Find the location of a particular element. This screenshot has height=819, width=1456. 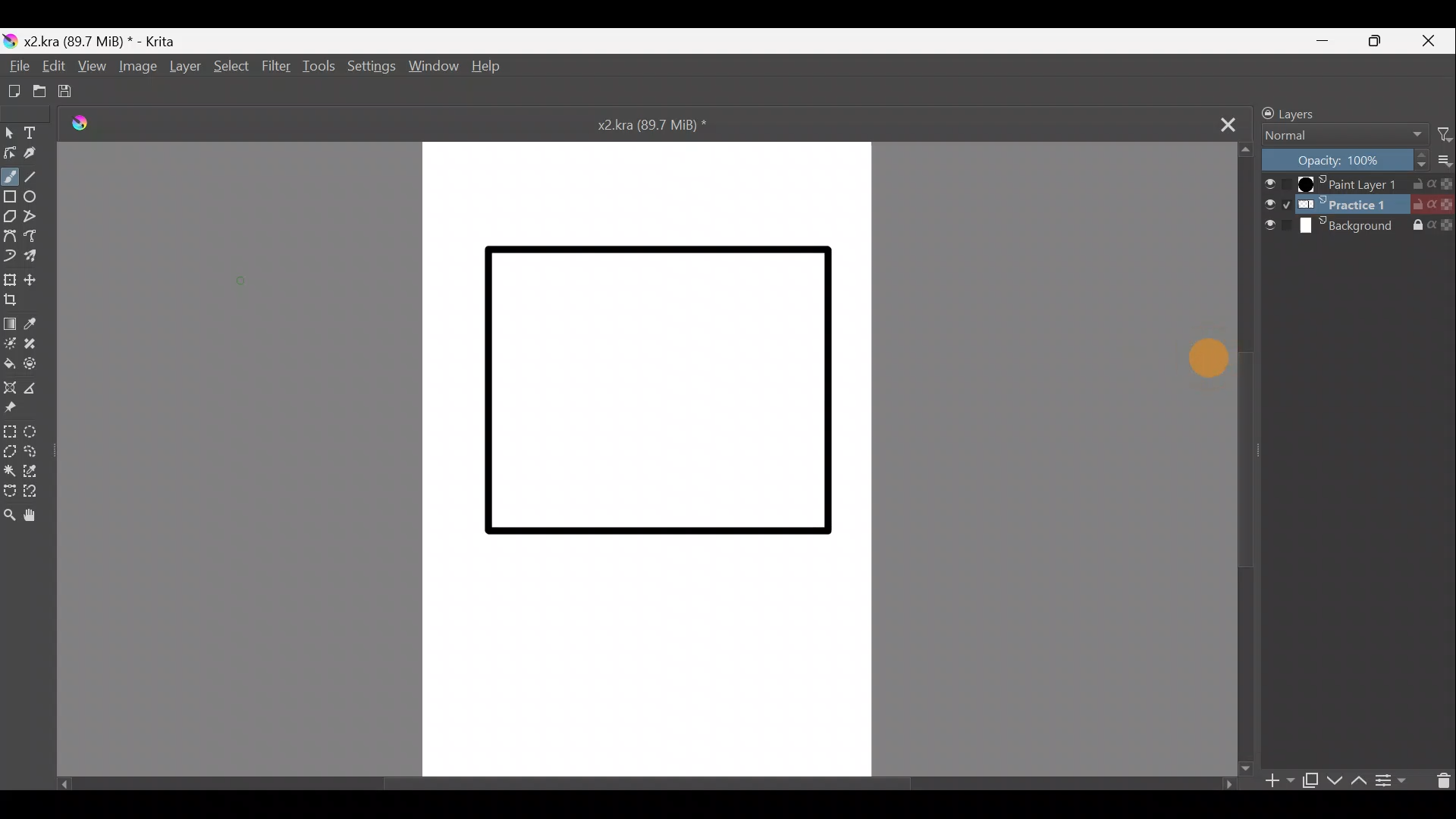

Close is located at coordinates (1427, 44).